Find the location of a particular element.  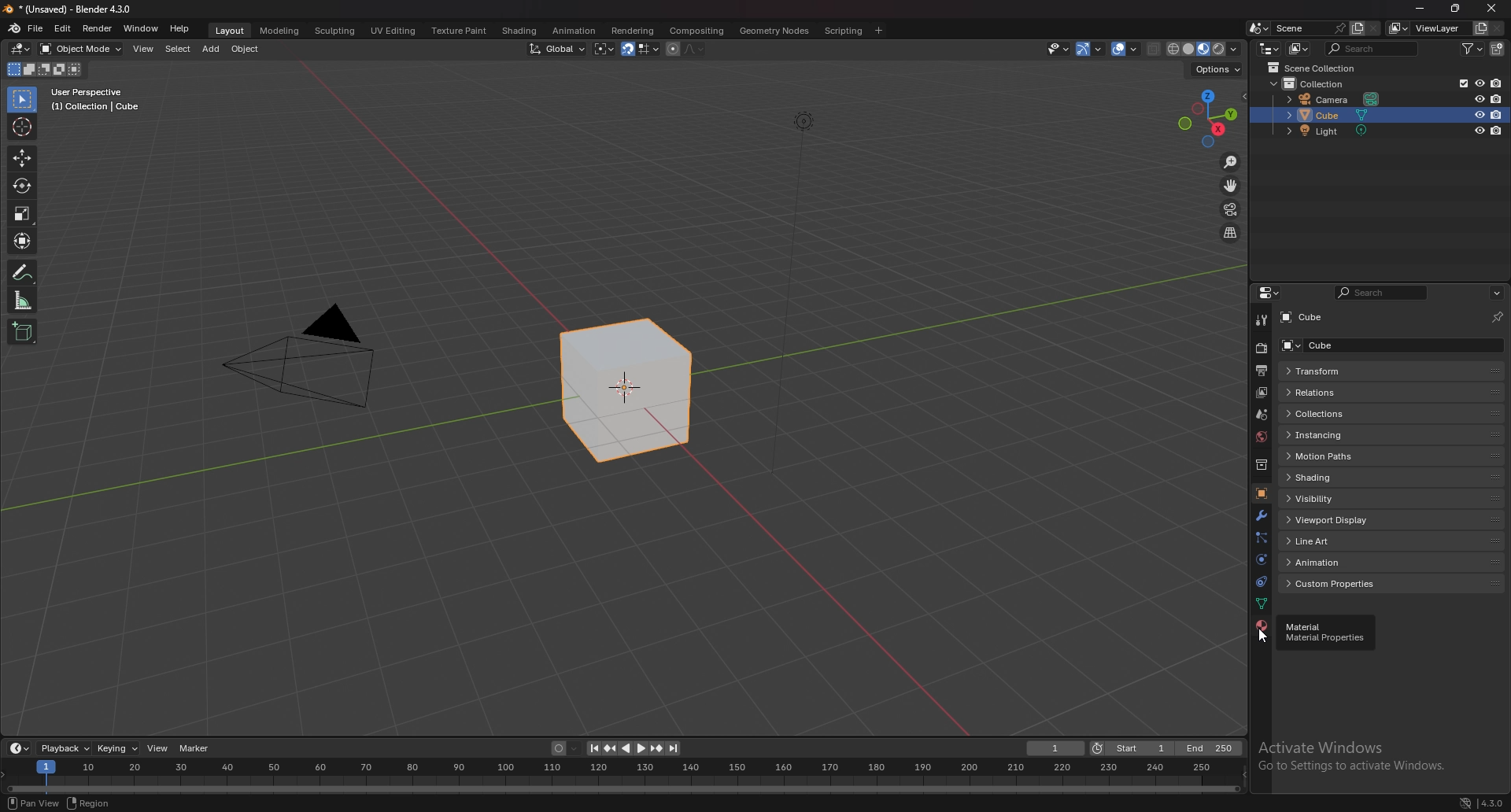

view is located at coordinates (159, 748).